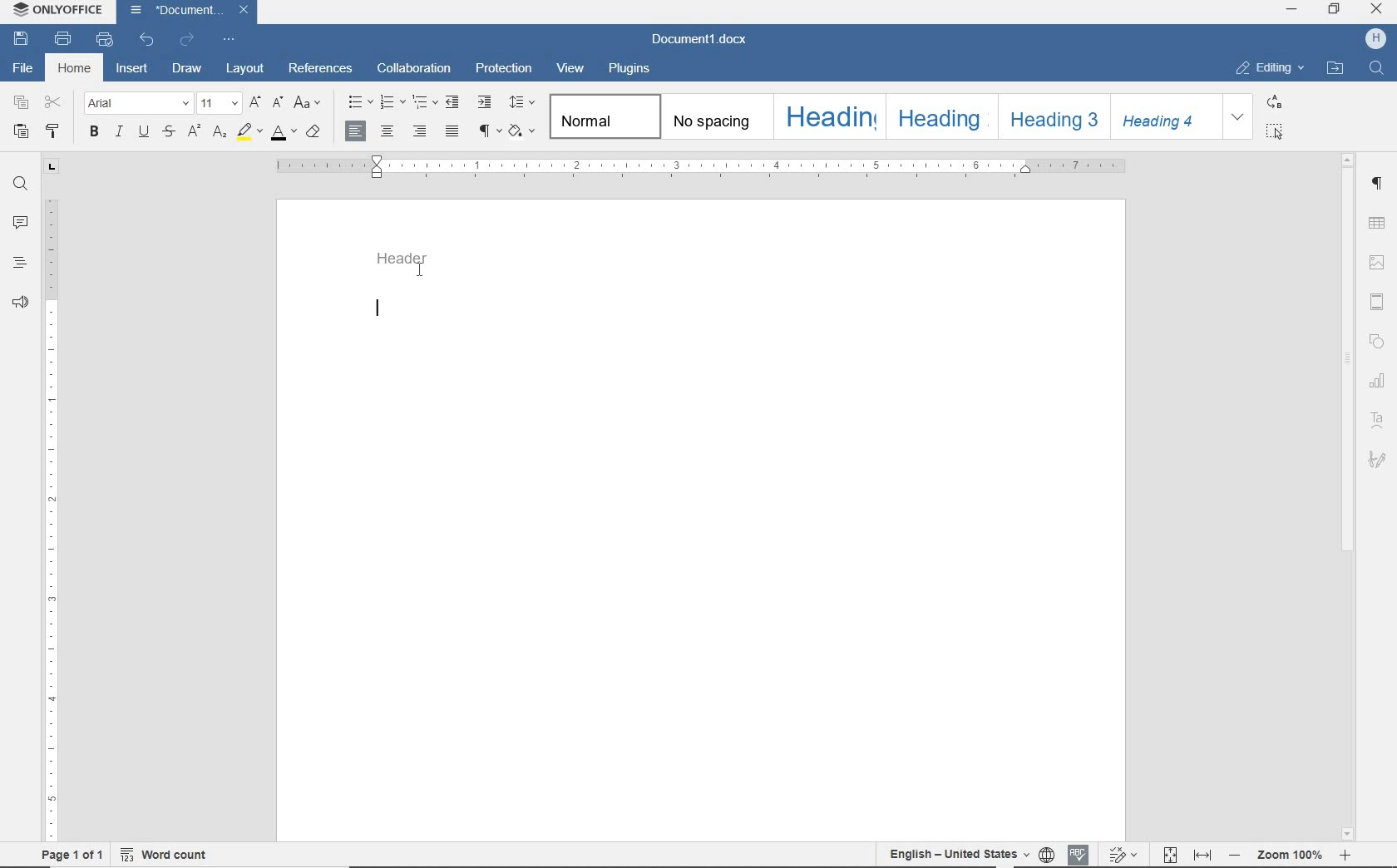 The height and width of the screenshot is (868, 1397). I want to click on comments, so click(18, 223).